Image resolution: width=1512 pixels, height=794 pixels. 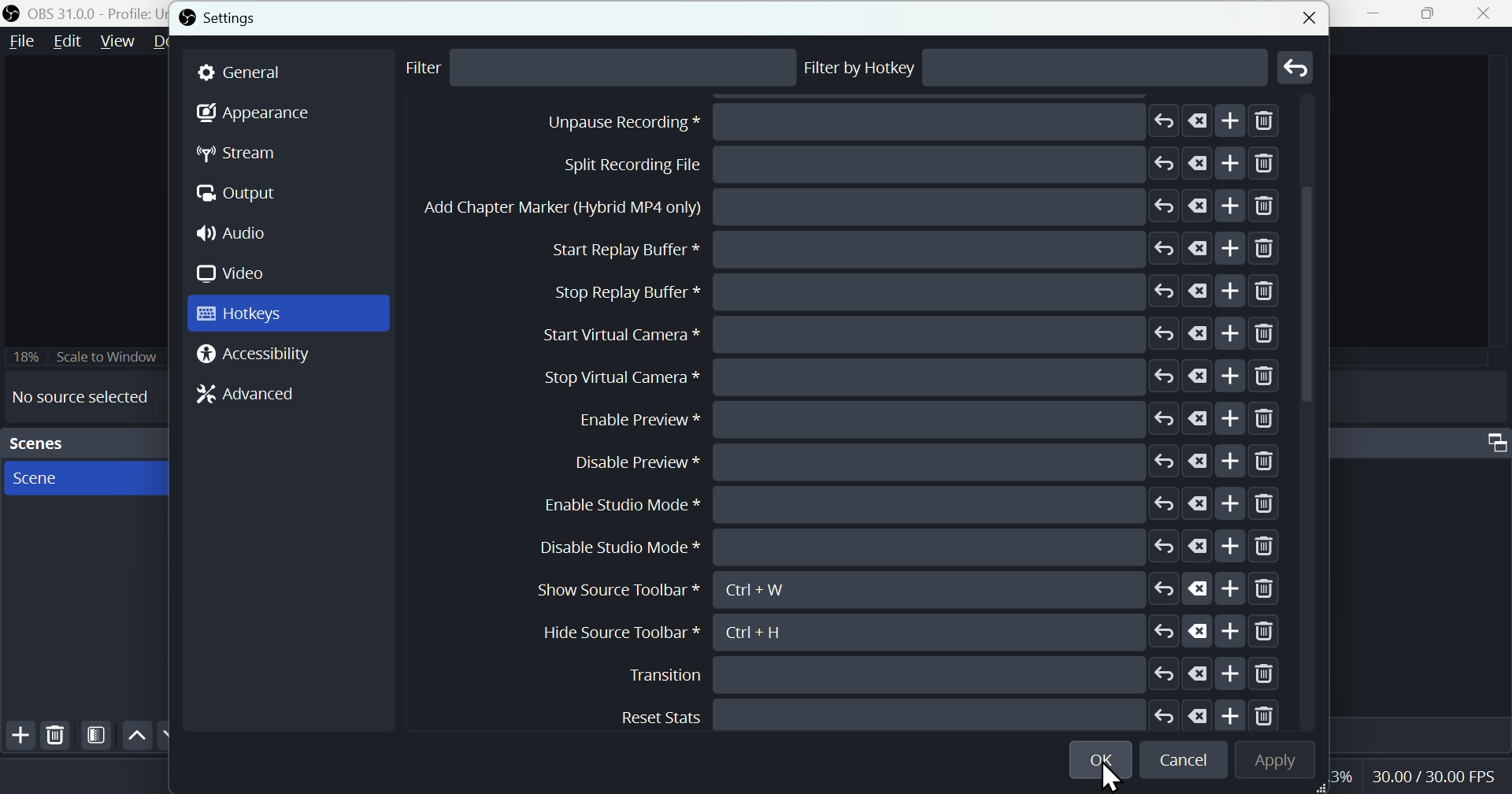 I want to click on Settings, so click(x=225, y=18).